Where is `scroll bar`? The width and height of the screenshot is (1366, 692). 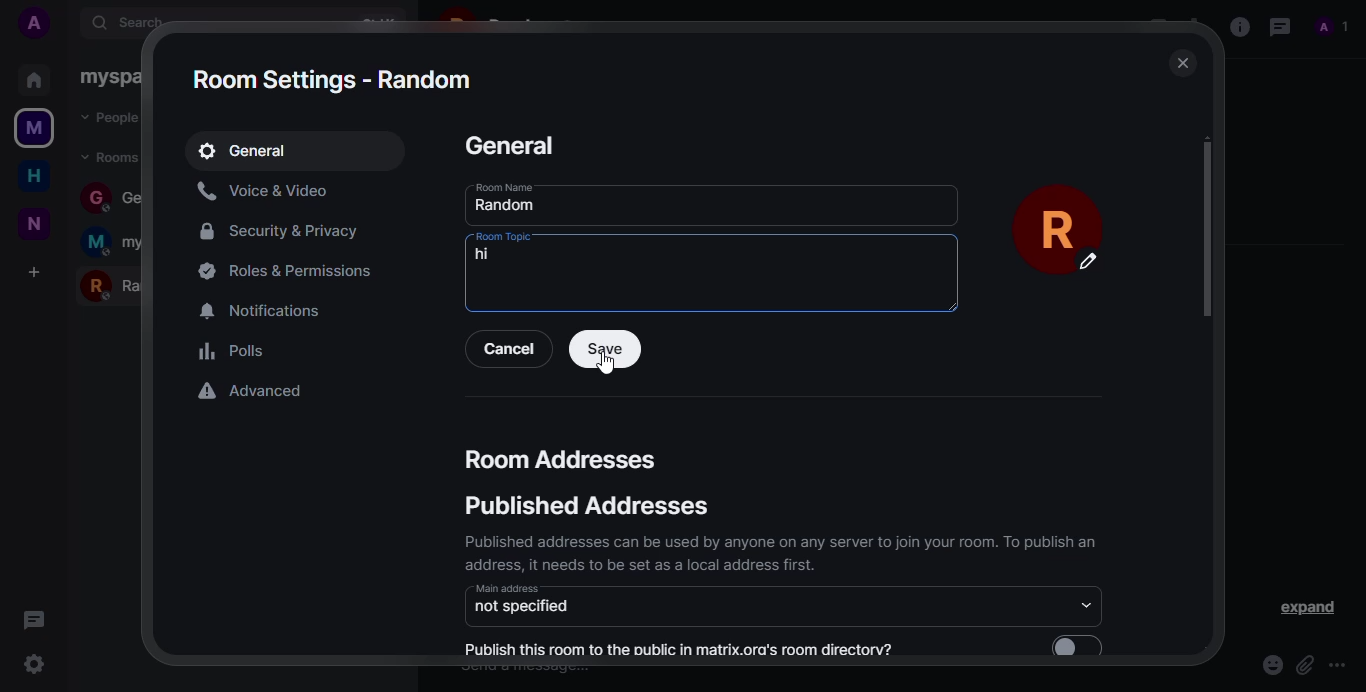
scroll bar is located at coordinates (1207, 232).